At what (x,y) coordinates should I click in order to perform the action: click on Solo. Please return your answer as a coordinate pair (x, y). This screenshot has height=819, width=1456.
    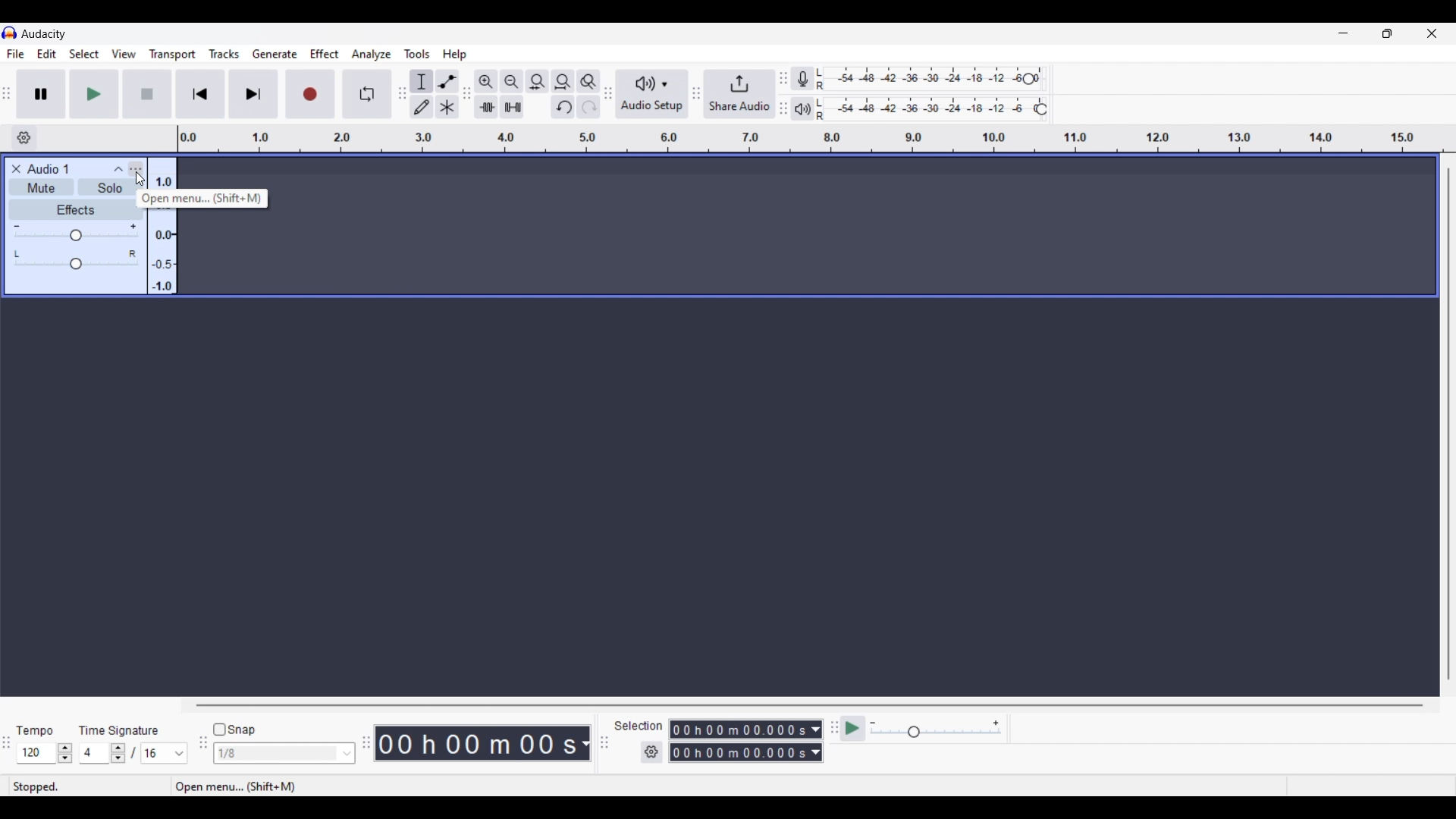
    Looking at the image, I should click on (111, 187).